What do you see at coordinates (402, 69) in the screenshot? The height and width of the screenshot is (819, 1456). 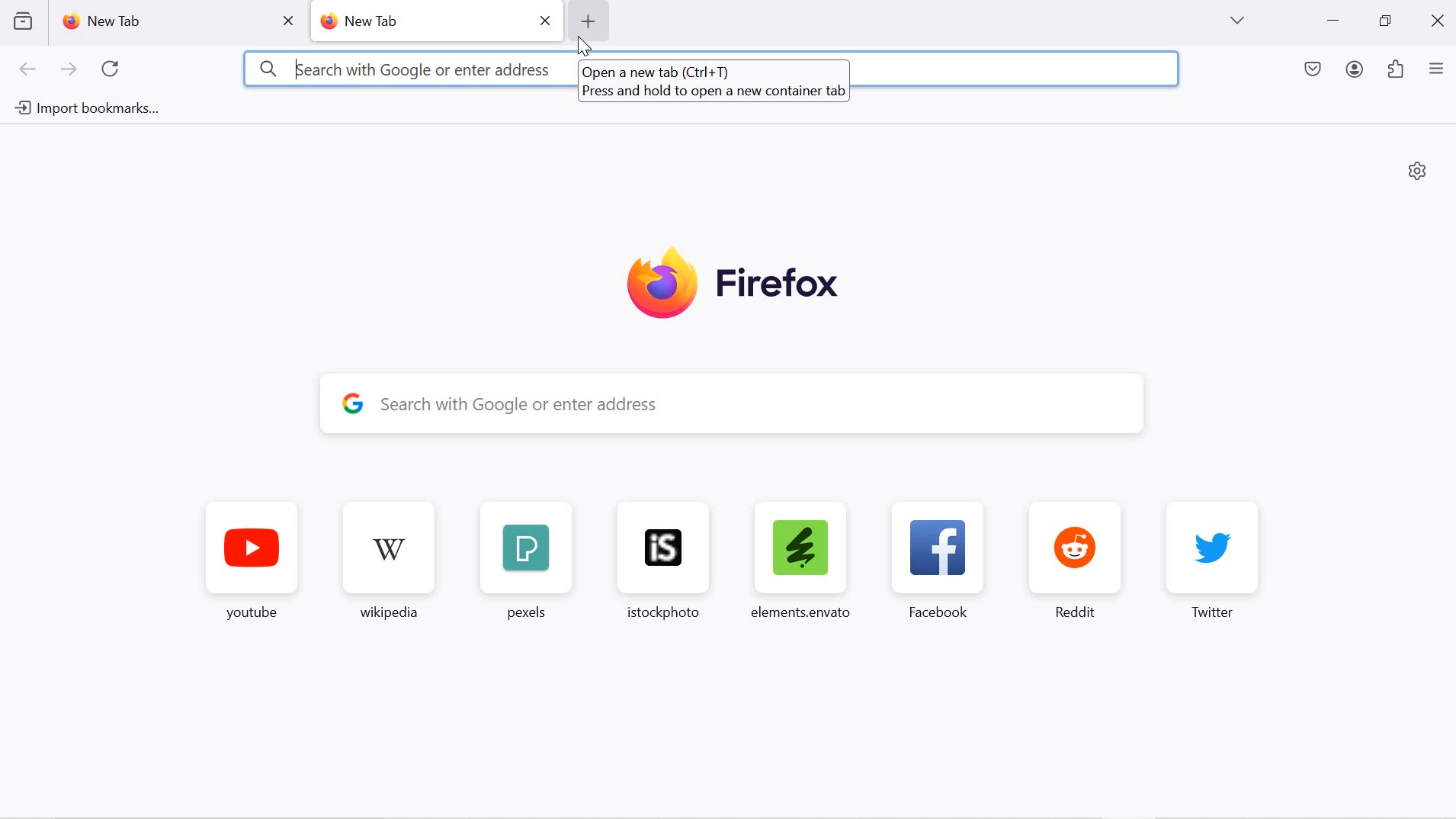 I see `3 kearch with Google or enter address` at bounding box center [402, 69].